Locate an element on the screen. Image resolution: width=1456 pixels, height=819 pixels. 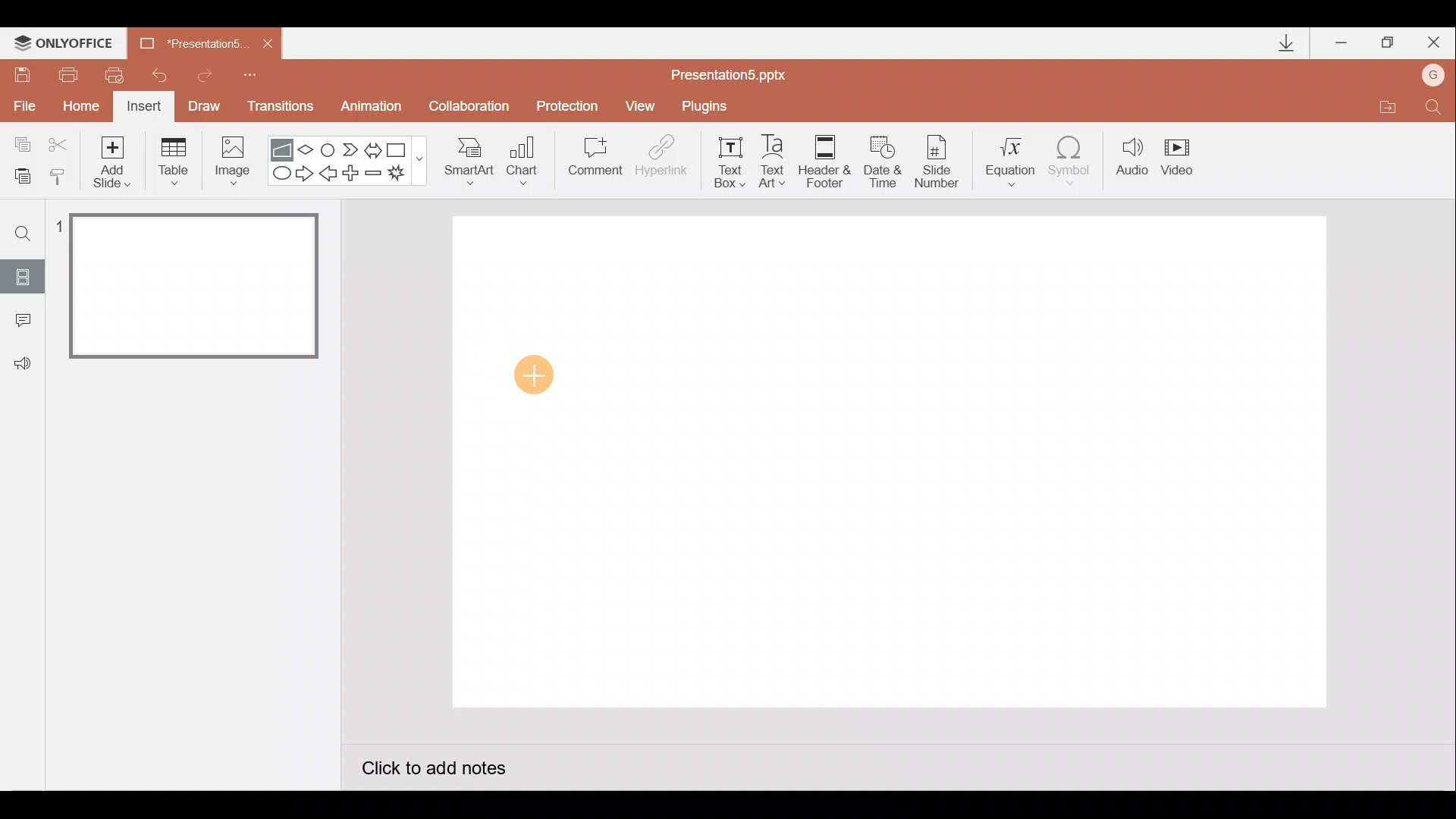
Open file location is located at coordinates (1387, 109).